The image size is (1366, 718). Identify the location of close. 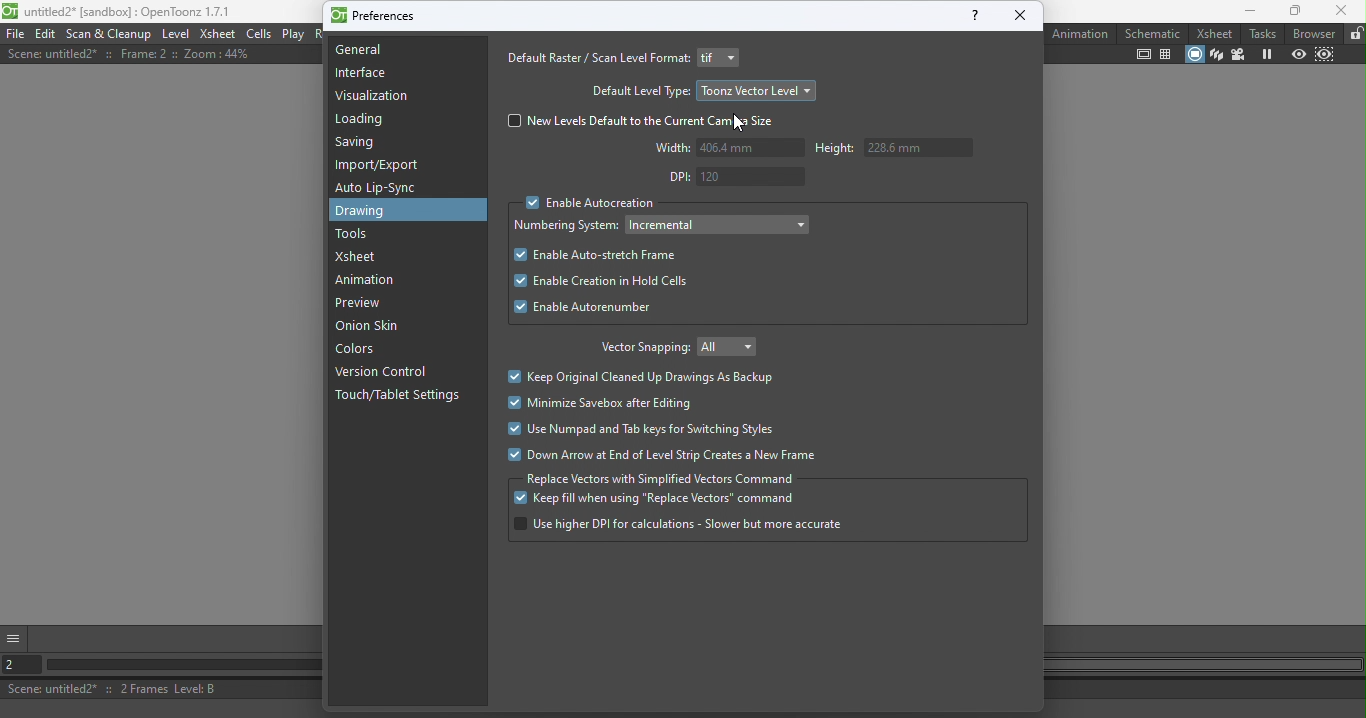
(1021, 15).